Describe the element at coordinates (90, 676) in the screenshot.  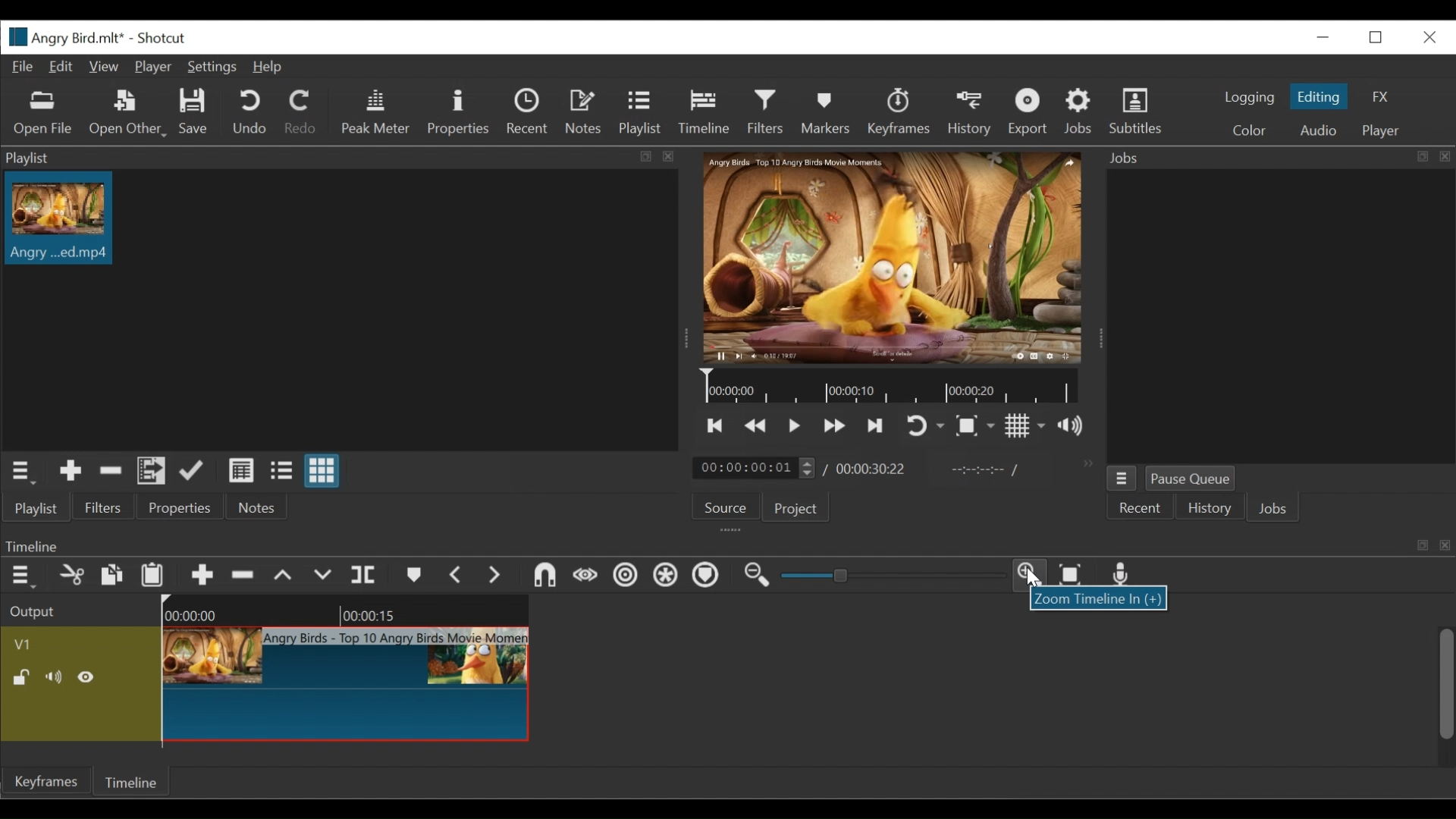
I see `Hide` at that location.